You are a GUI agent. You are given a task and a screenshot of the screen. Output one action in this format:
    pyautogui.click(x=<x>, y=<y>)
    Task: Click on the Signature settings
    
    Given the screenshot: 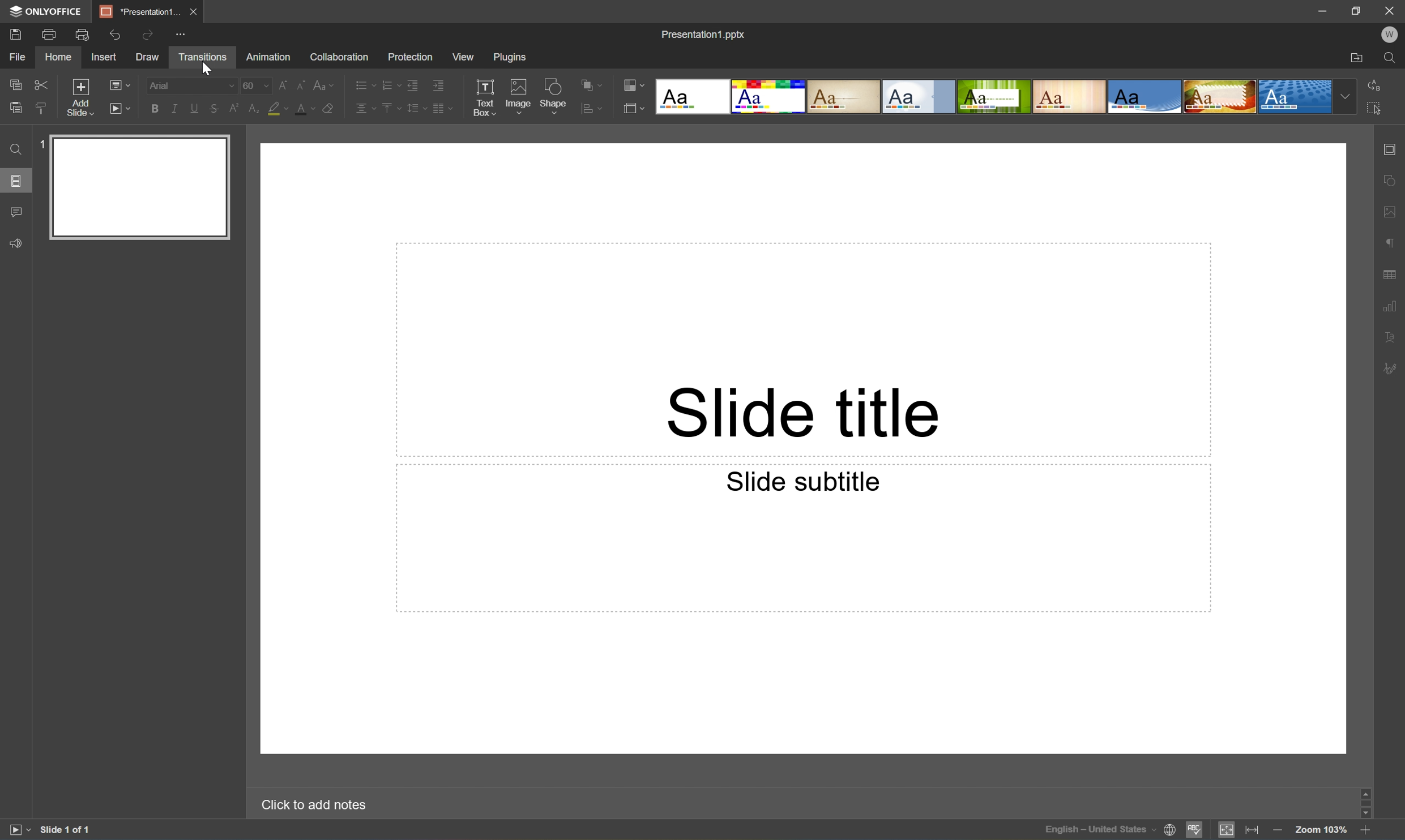 What is the action you would take?
    pyautogui.click(x=1392, y=371)
    